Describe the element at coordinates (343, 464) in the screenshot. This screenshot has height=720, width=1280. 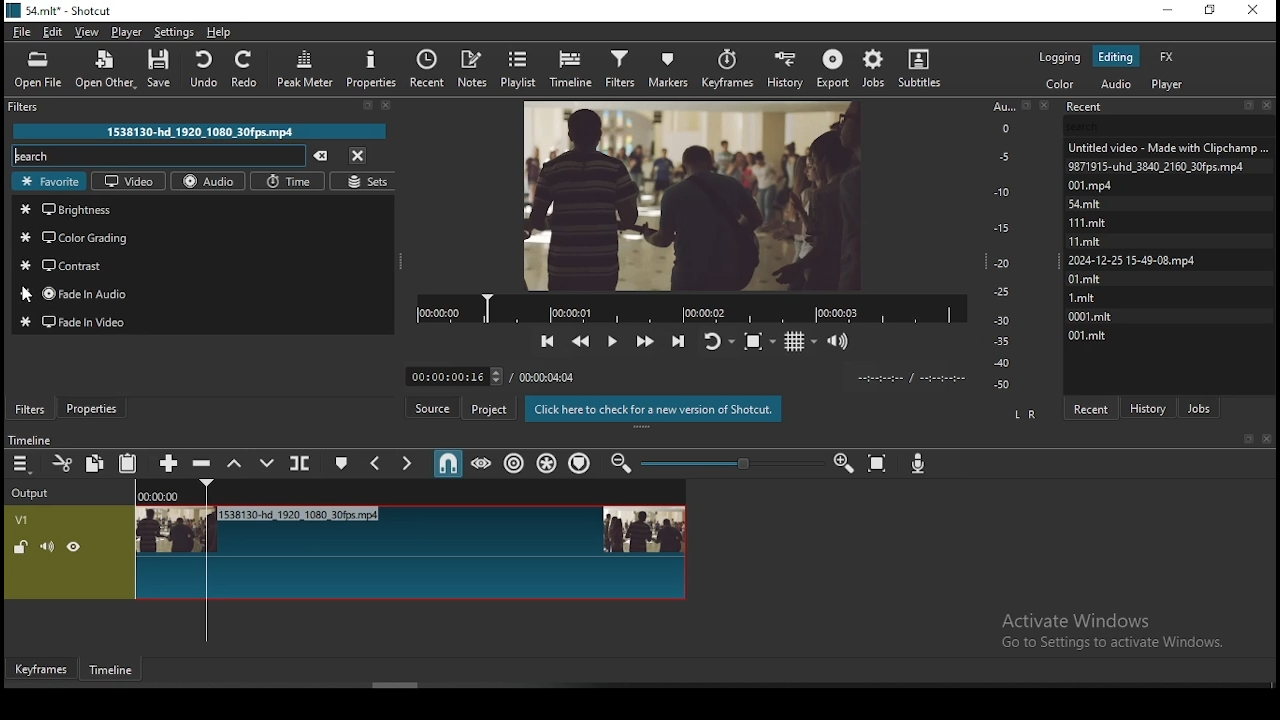
I see `create/edit marker` at that location.